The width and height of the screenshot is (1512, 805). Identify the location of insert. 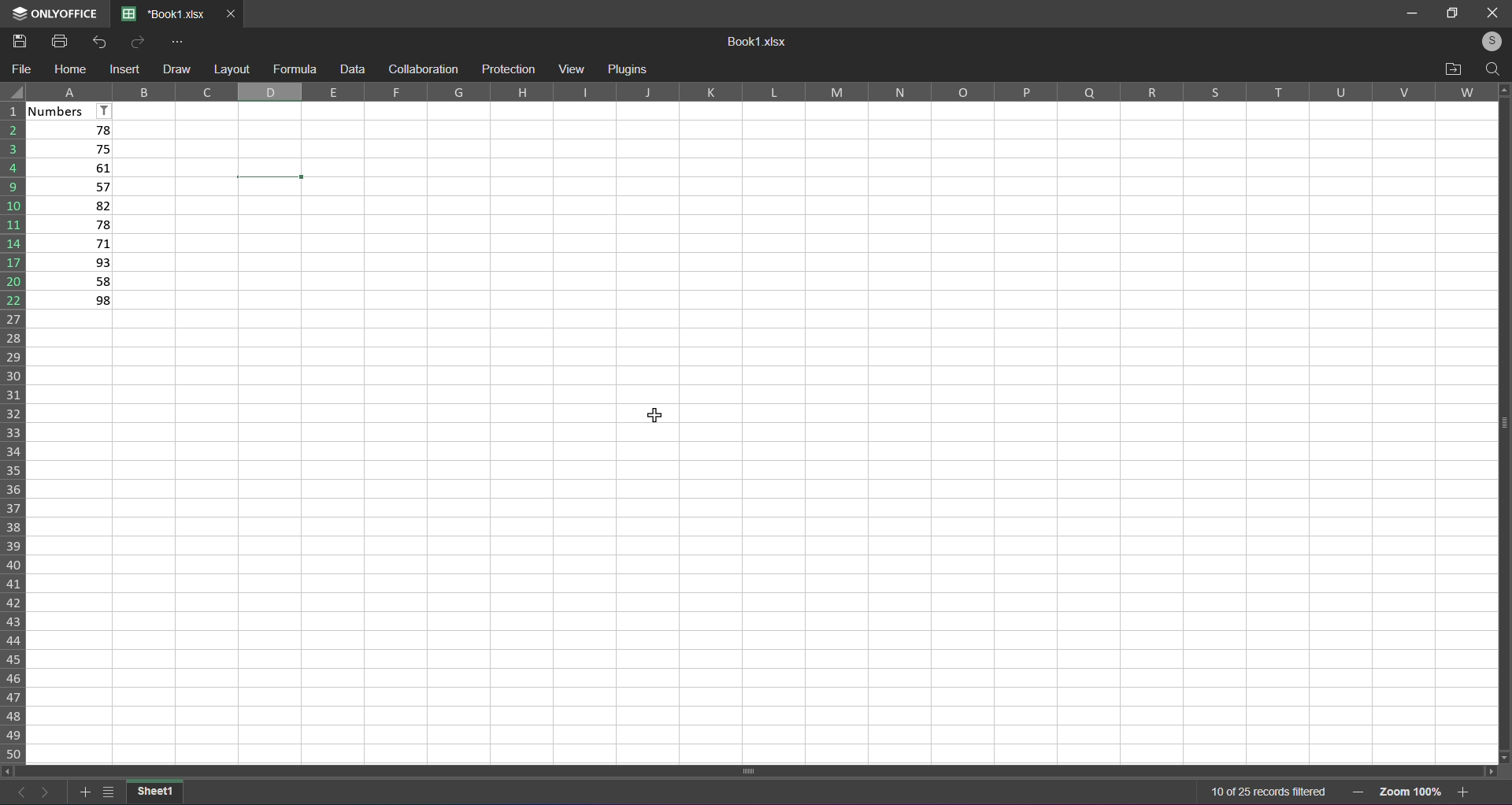
(127, 70).